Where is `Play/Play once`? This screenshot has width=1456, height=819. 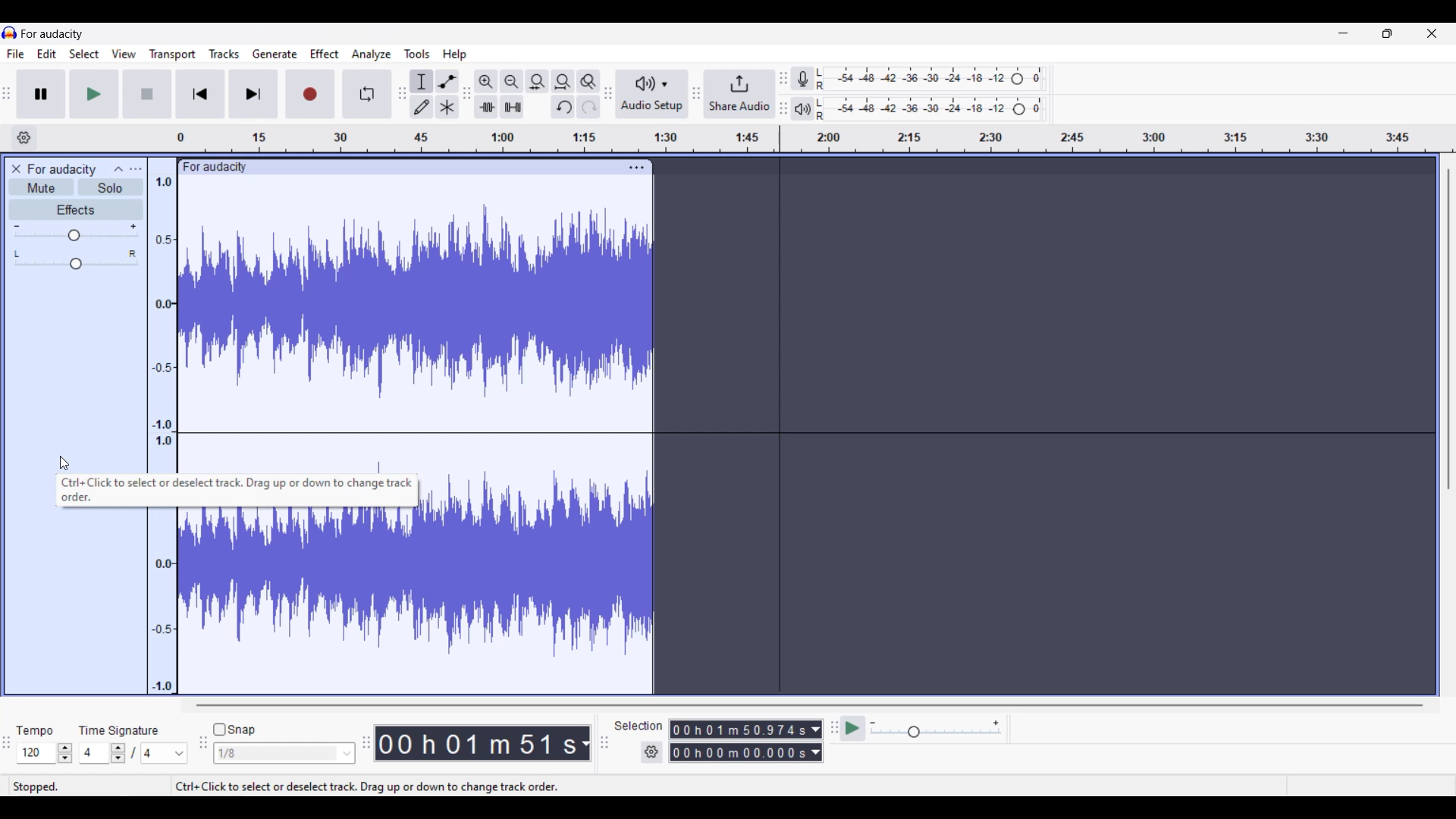 Play/Play once is located at coordinates (95, 94).